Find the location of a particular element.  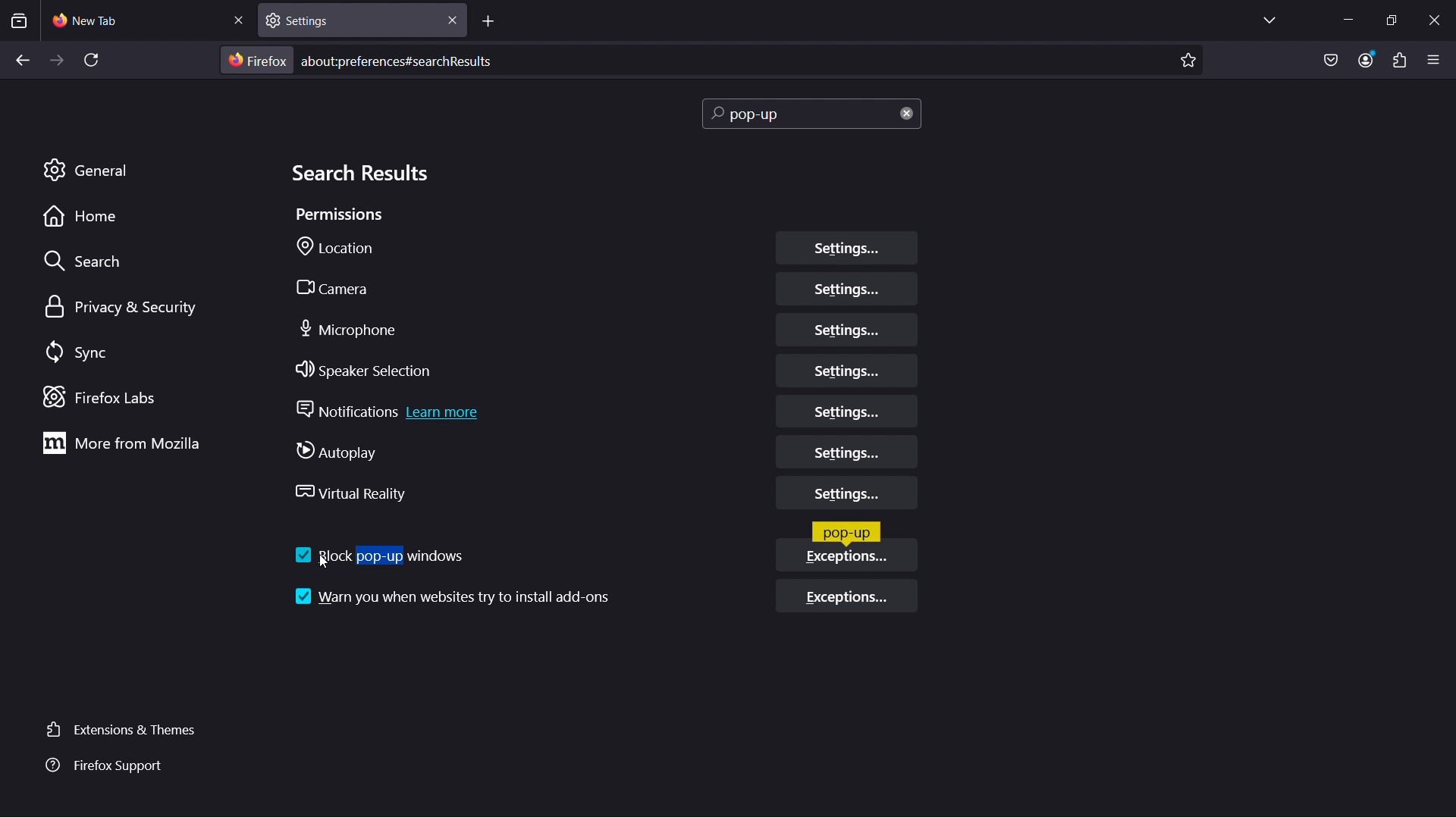

Microphone is located at coordinates (350, 330).